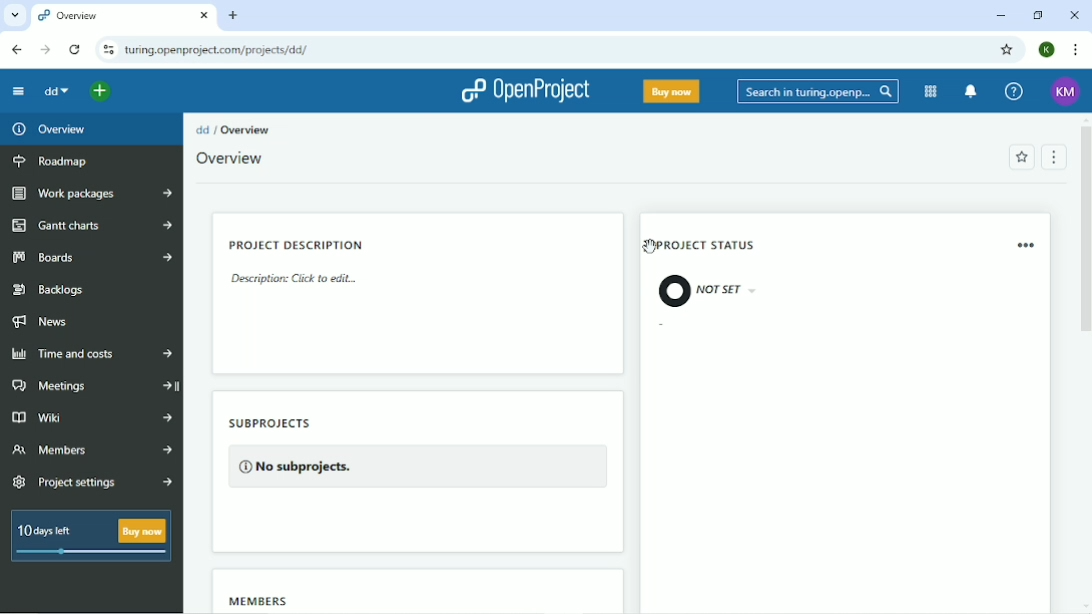  Describe the element at coordinates (1037, 15) in the screenshot. I see `Restore down` at that location.